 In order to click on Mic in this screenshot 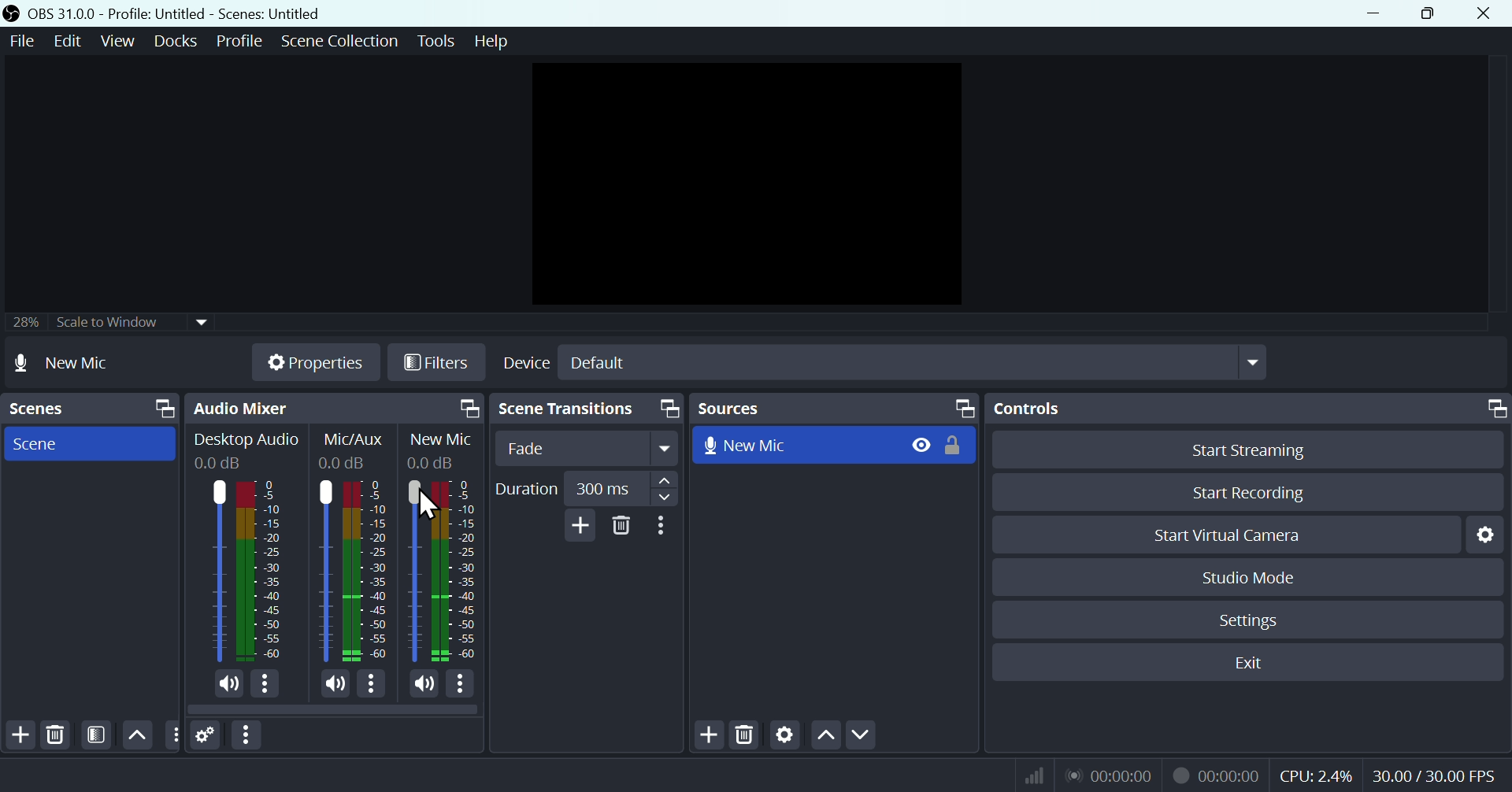, I will do `click(461, 570)`.